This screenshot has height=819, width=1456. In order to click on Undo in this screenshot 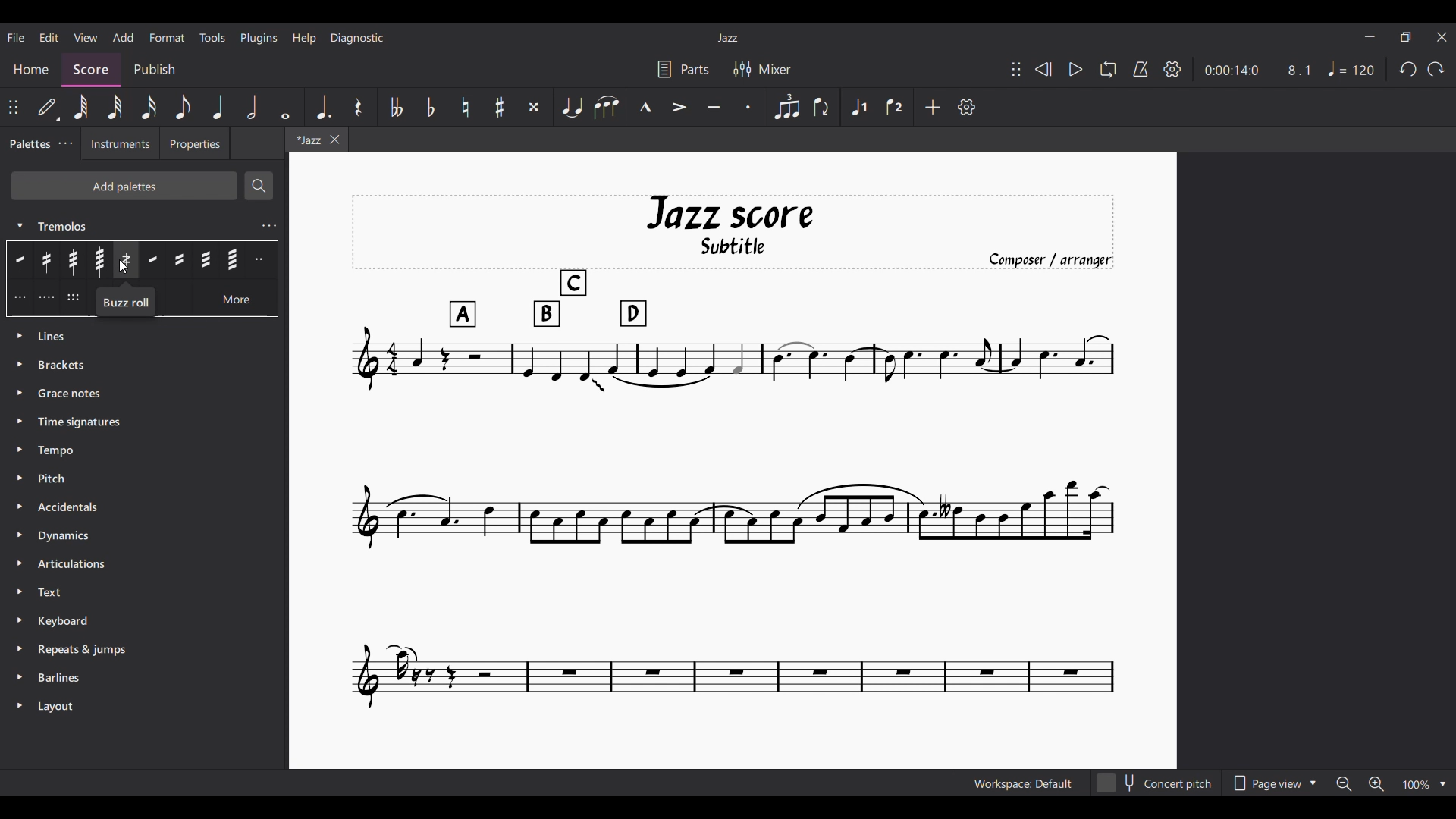, I will do `click(1408, 69)`.